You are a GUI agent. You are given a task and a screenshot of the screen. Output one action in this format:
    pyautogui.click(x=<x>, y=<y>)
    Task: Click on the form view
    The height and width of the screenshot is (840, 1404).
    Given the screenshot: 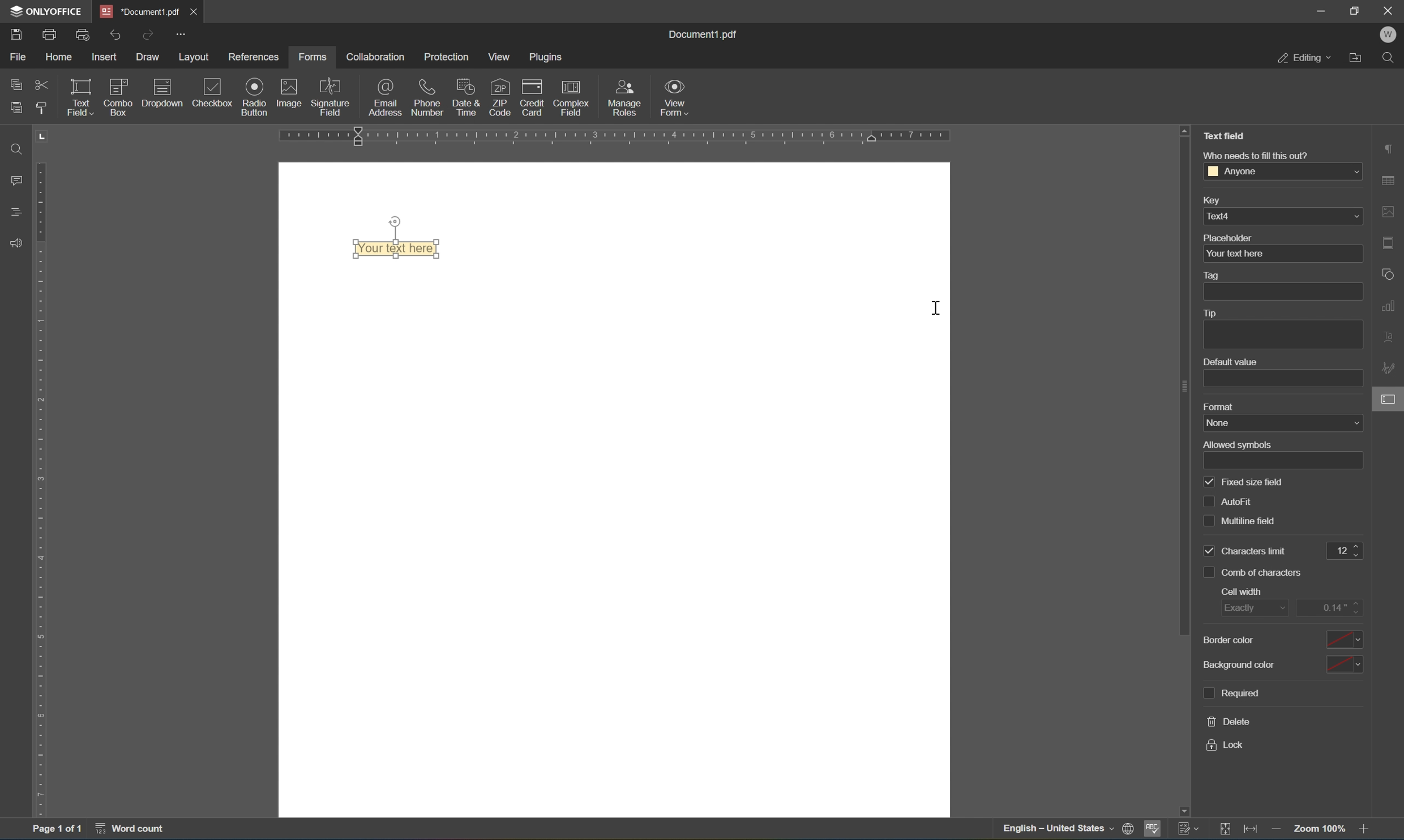 What is the action you would take?
    pyautogui.click(x=673, y=96)
    